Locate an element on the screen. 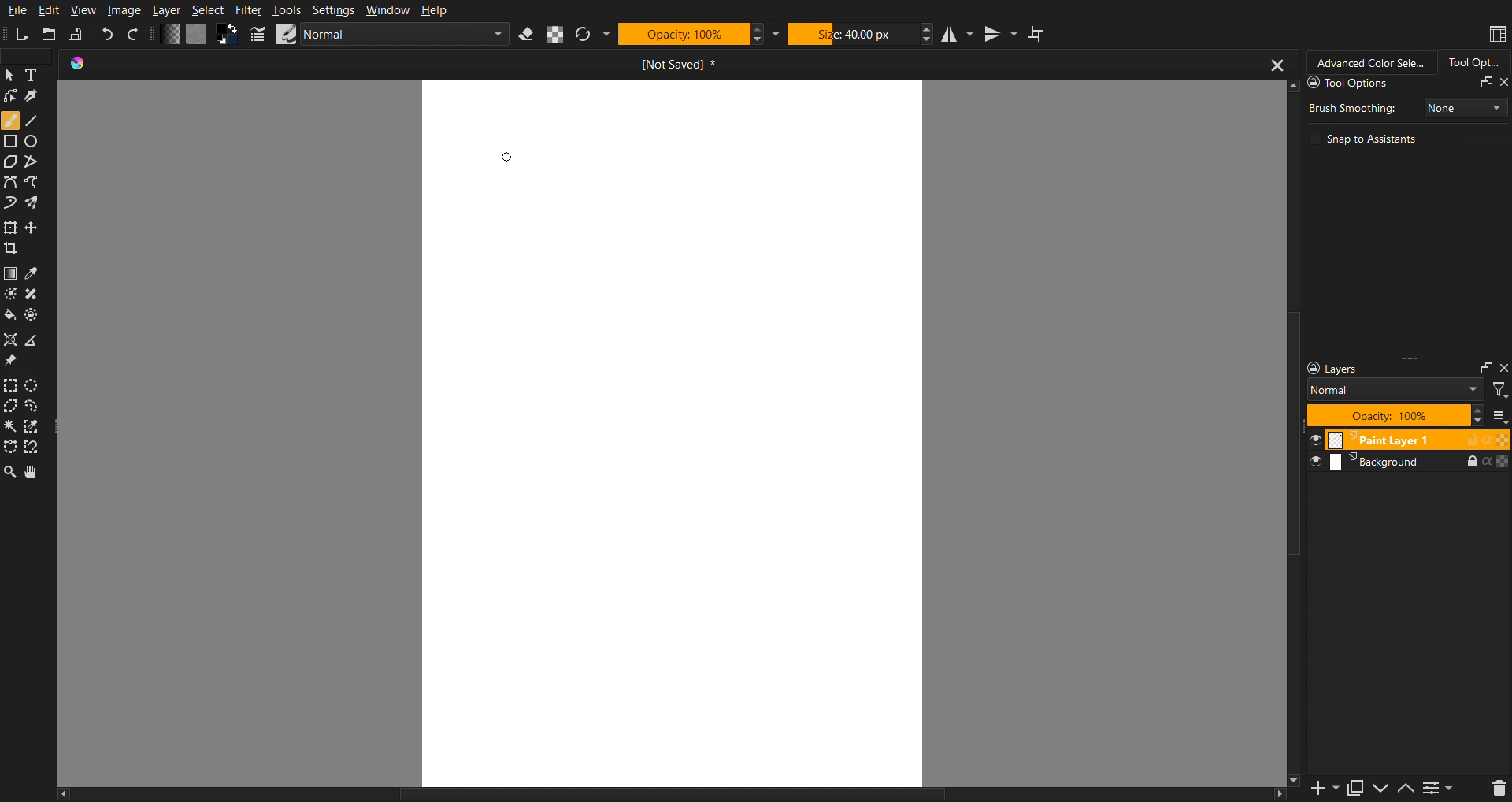 Image resolution: width=1512 pixels, height=802 pixels. Work Space is located at coordinates (673, 429).